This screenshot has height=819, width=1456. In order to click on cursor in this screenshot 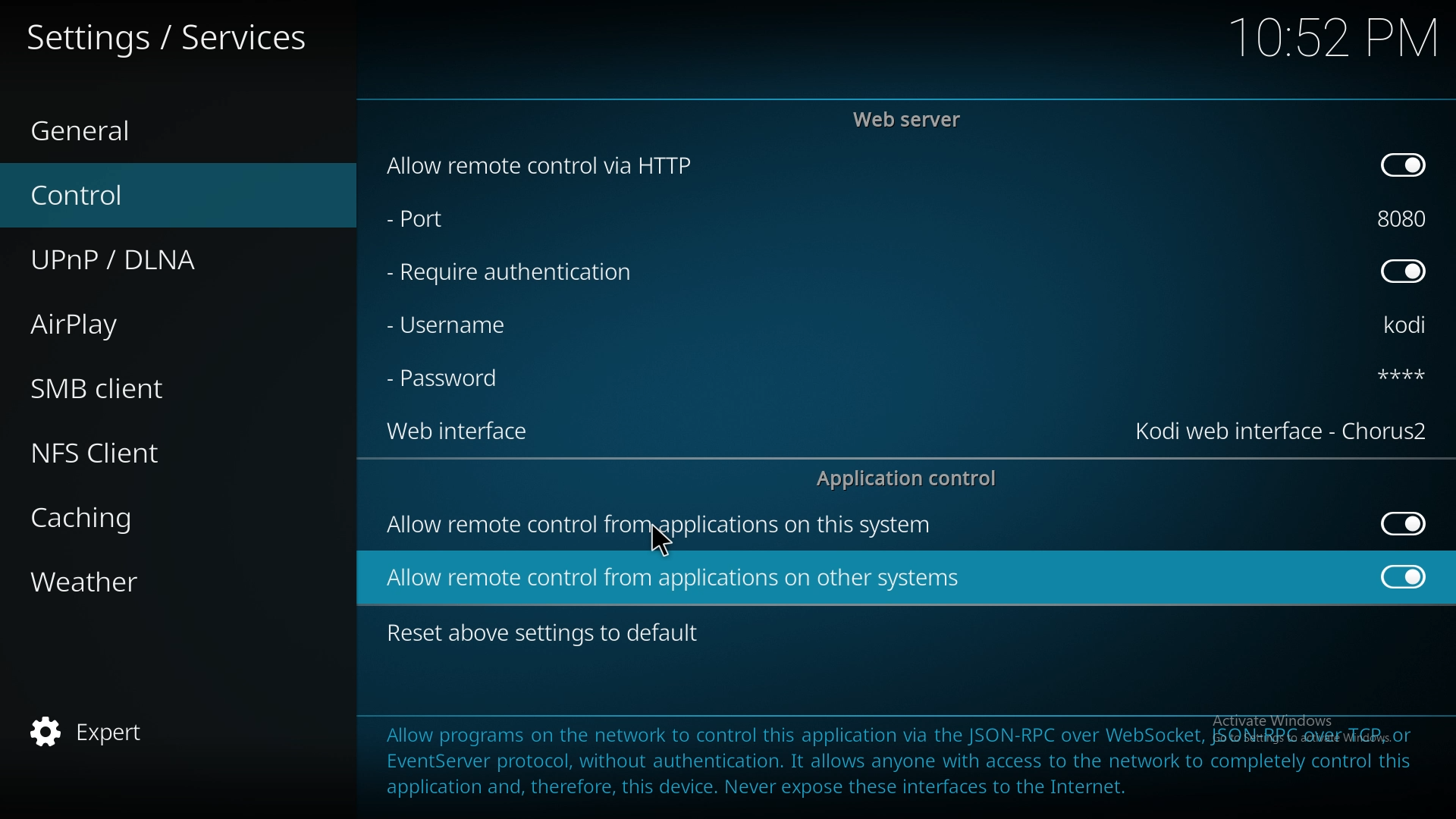, I will do `click(660, 542)`.